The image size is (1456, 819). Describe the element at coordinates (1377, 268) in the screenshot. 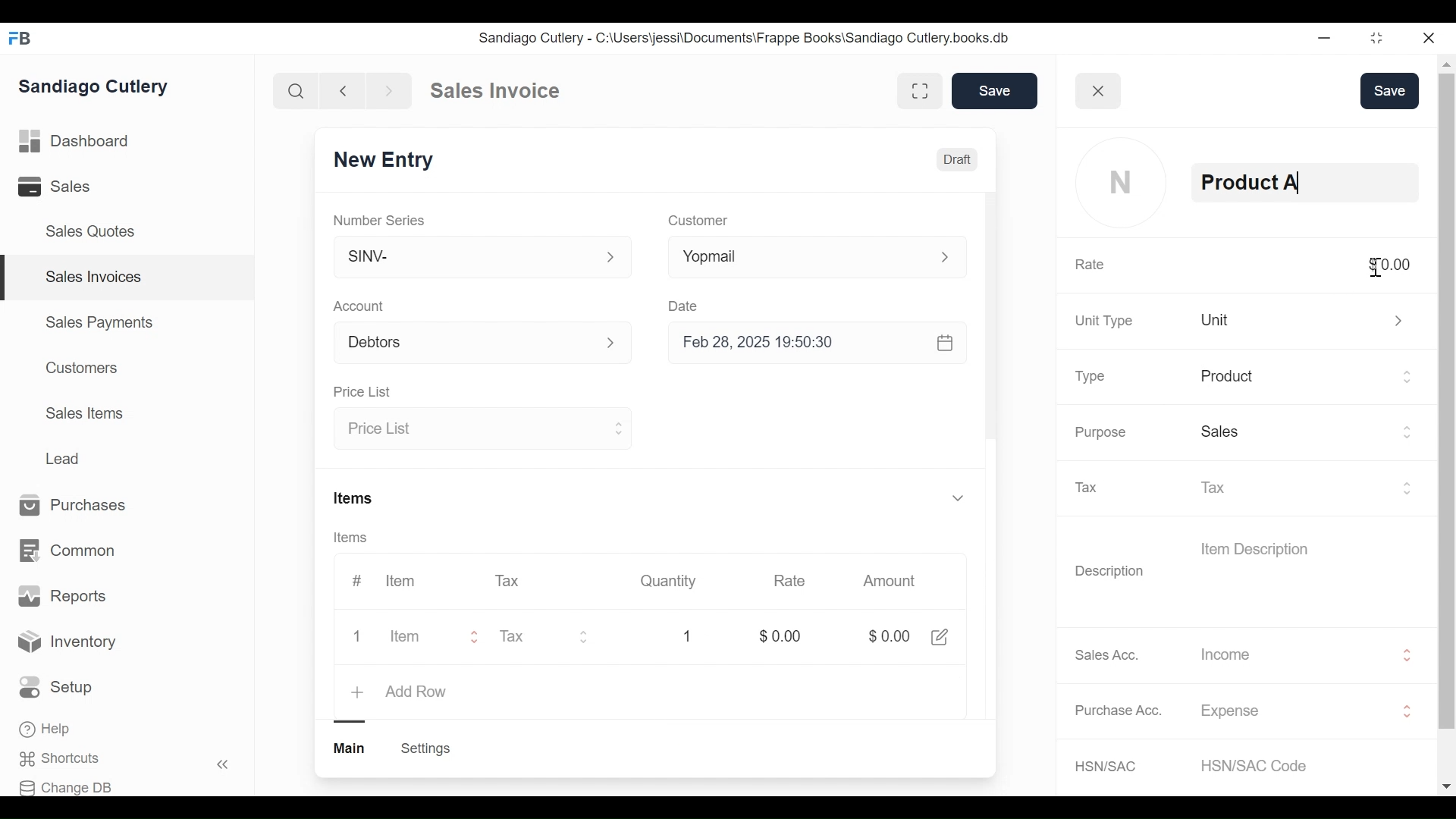

I see `cursor` at that location.